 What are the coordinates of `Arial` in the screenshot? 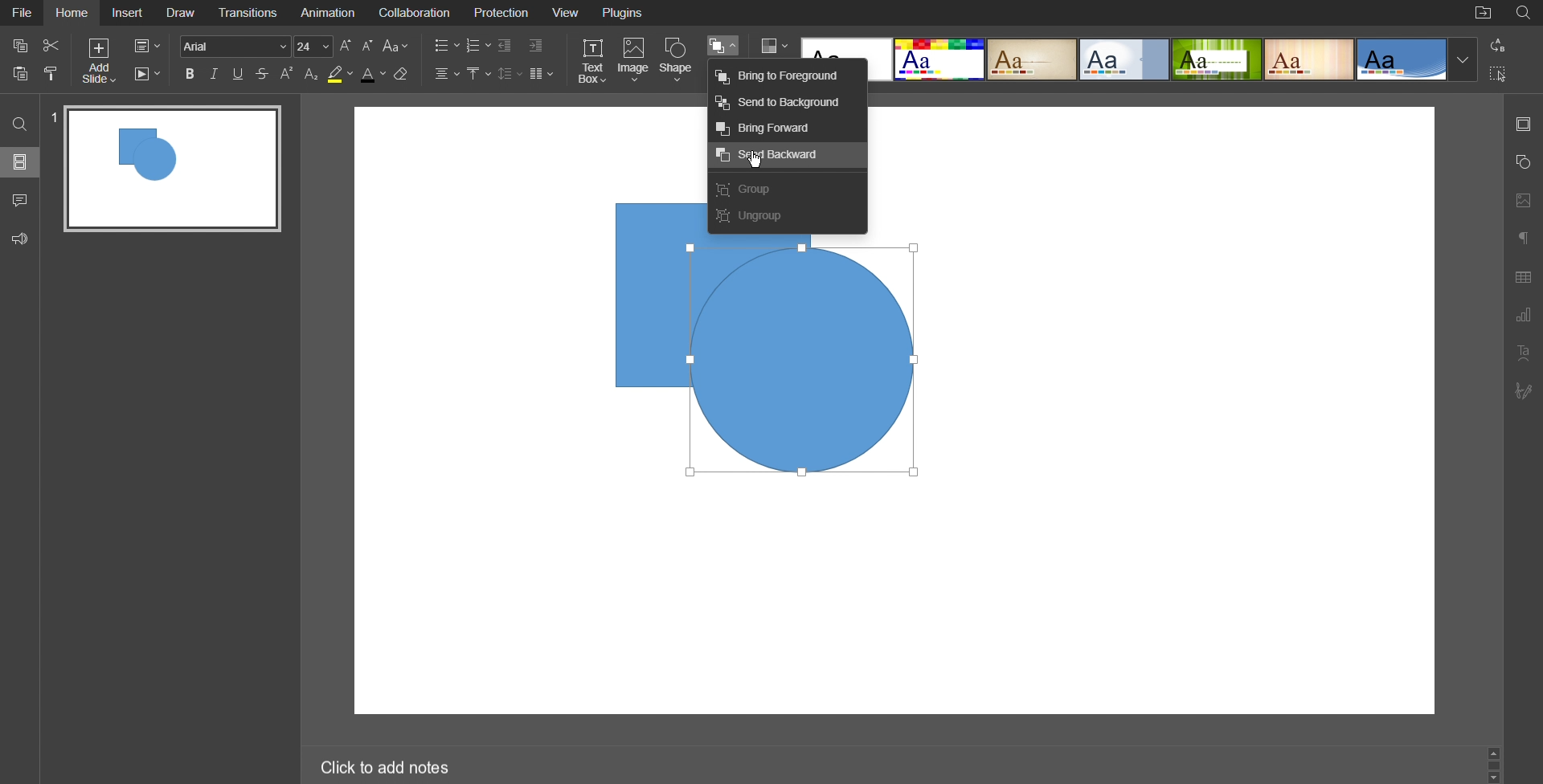 It's located at (235, 46).